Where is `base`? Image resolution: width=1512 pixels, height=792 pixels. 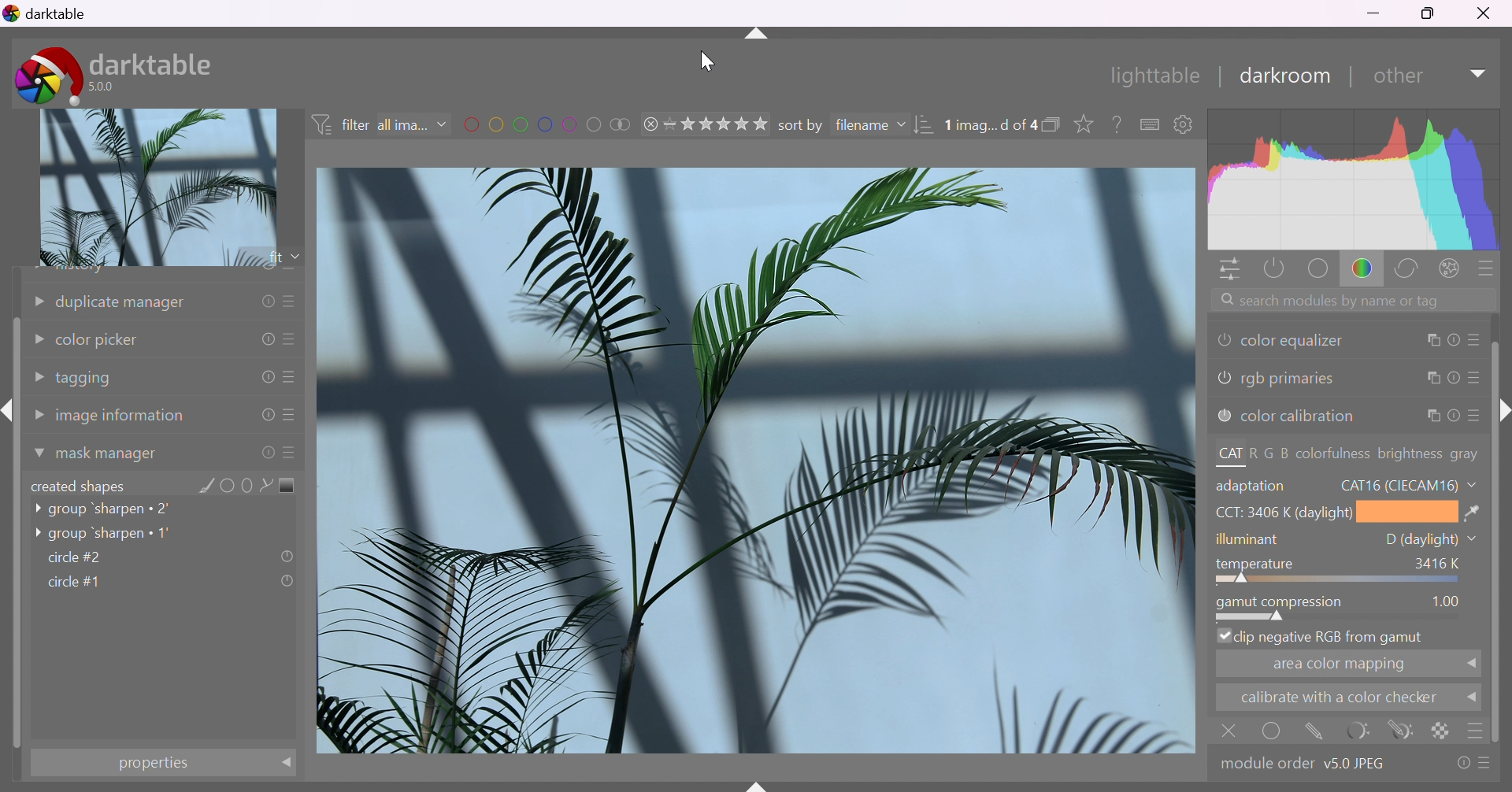
base is located at coordinates (1321, 268).